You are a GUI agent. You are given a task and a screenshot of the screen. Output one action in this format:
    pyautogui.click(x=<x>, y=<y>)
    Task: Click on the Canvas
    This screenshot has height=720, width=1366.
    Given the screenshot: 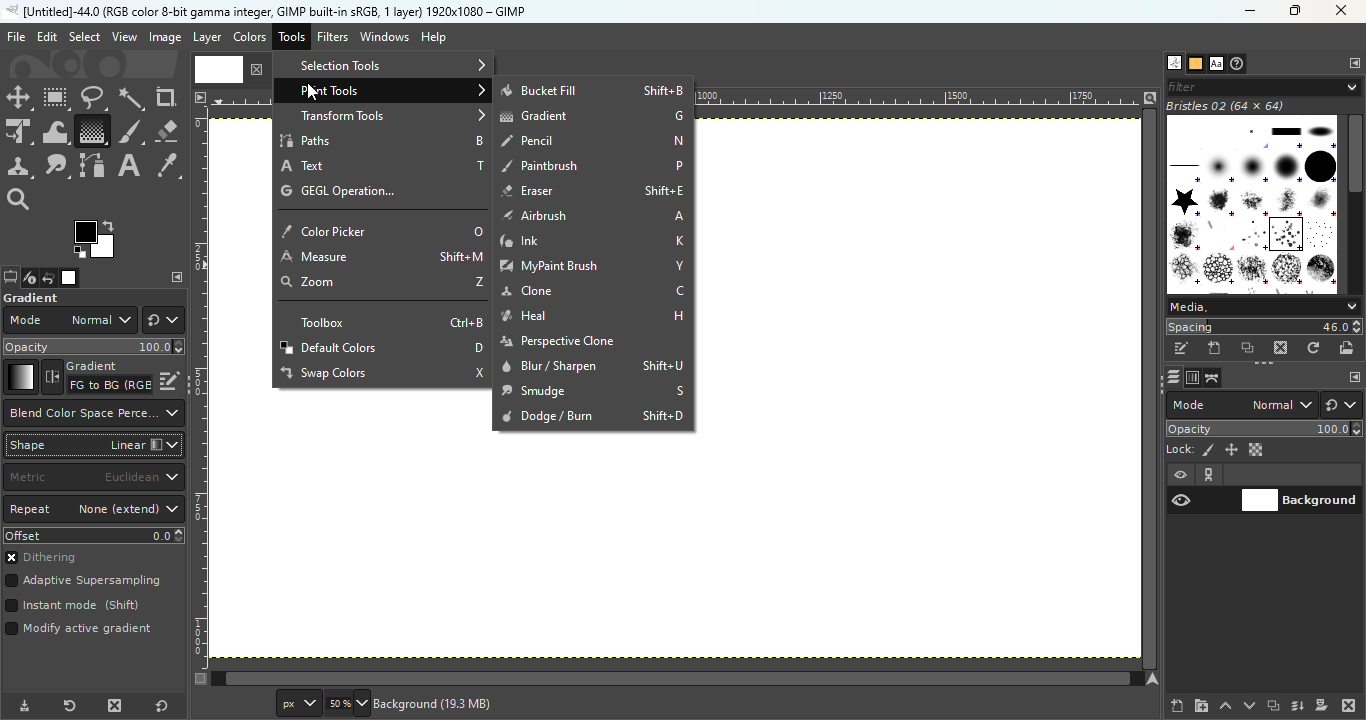 What is the action you would take?
    pyautogui.click(x=920, y=392)
    